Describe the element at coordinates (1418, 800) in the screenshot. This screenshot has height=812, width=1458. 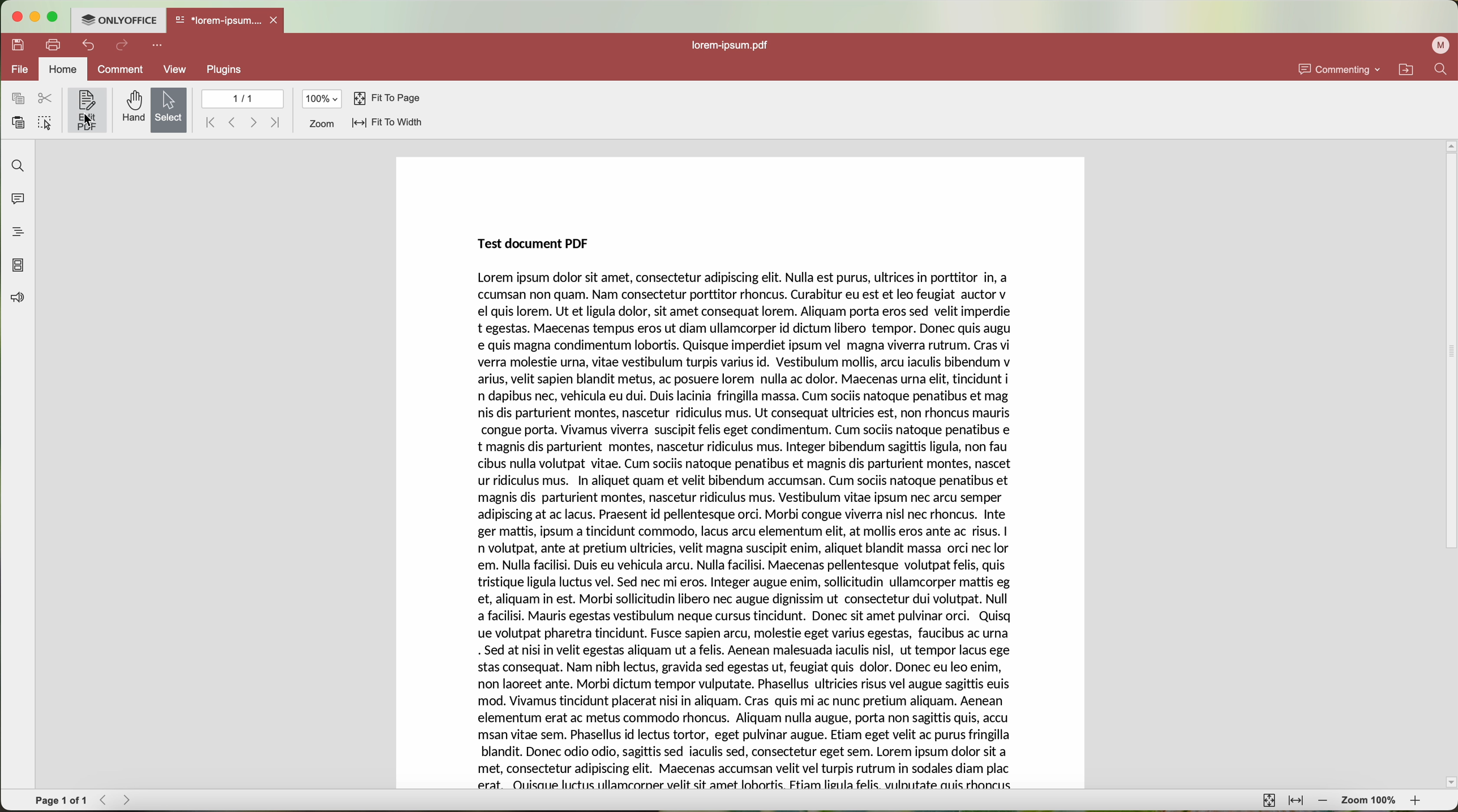
I see `zoom in` at that location.